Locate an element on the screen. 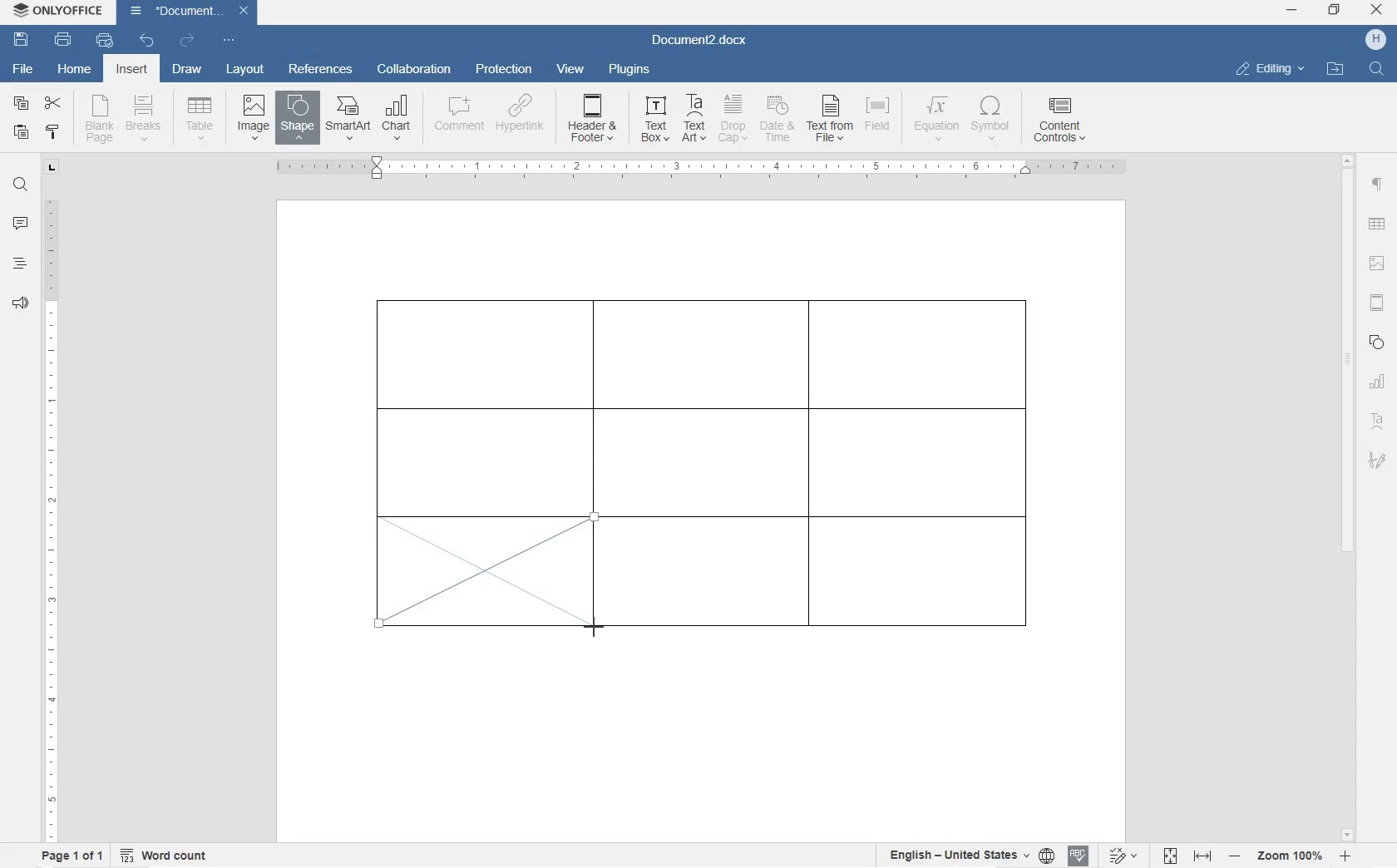 This screenshot has height=868, width=1397. EDITING is located at coordinates (1271, 68).